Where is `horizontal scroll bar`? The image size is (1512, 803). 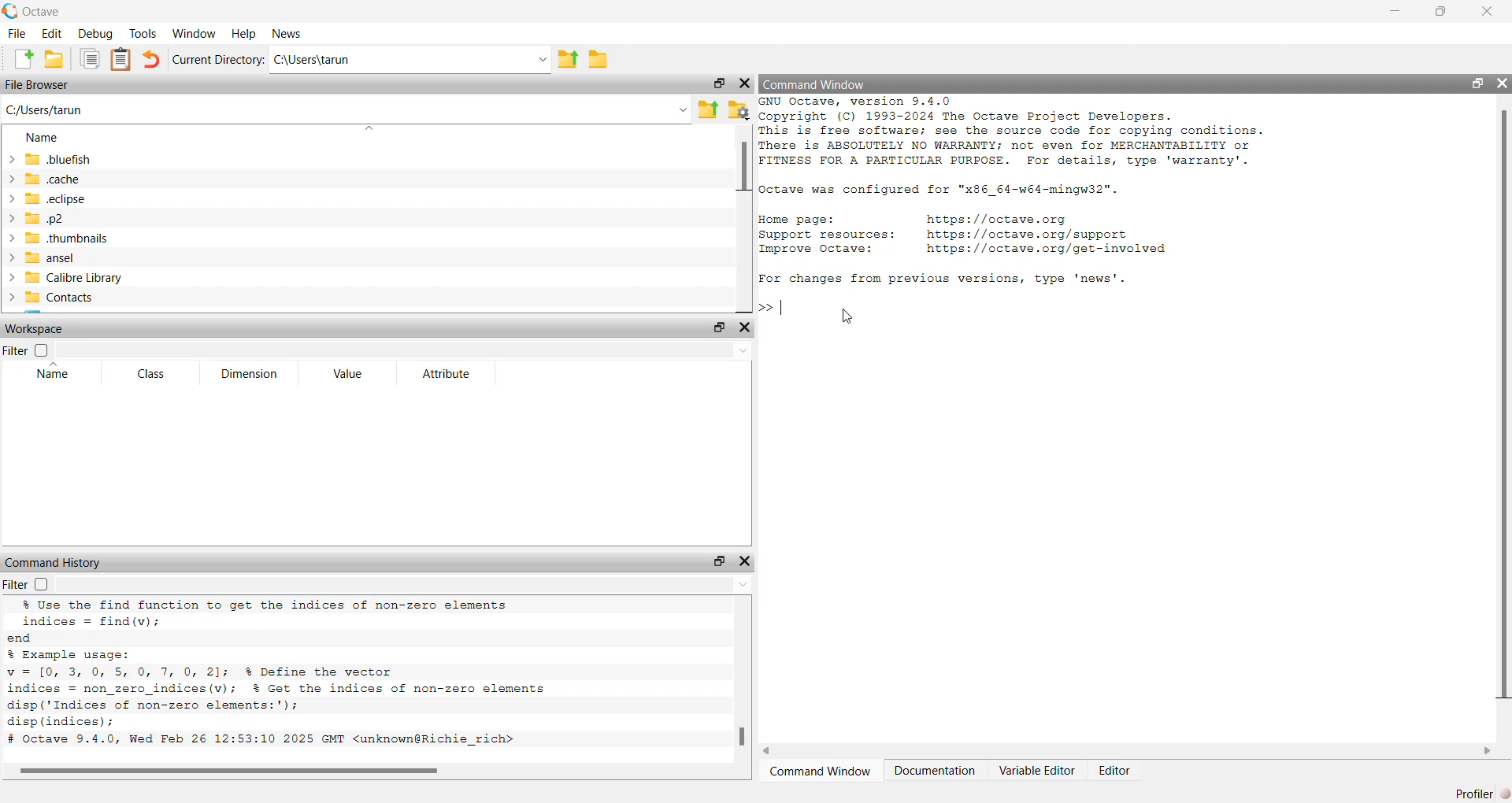 horizontal scroll bar is located at coordinates (377, 771).